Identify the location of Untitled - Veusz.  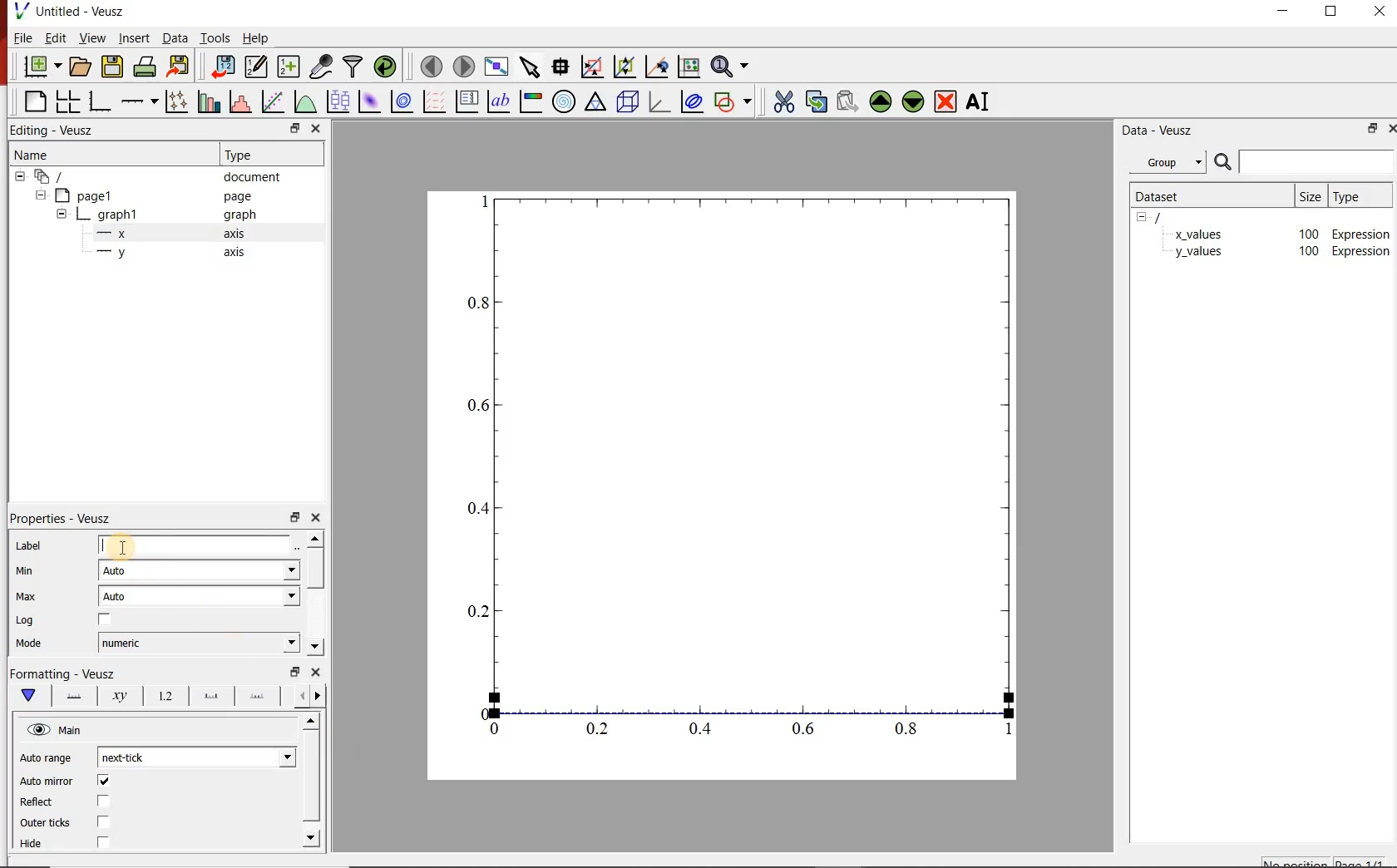
(81, 11).